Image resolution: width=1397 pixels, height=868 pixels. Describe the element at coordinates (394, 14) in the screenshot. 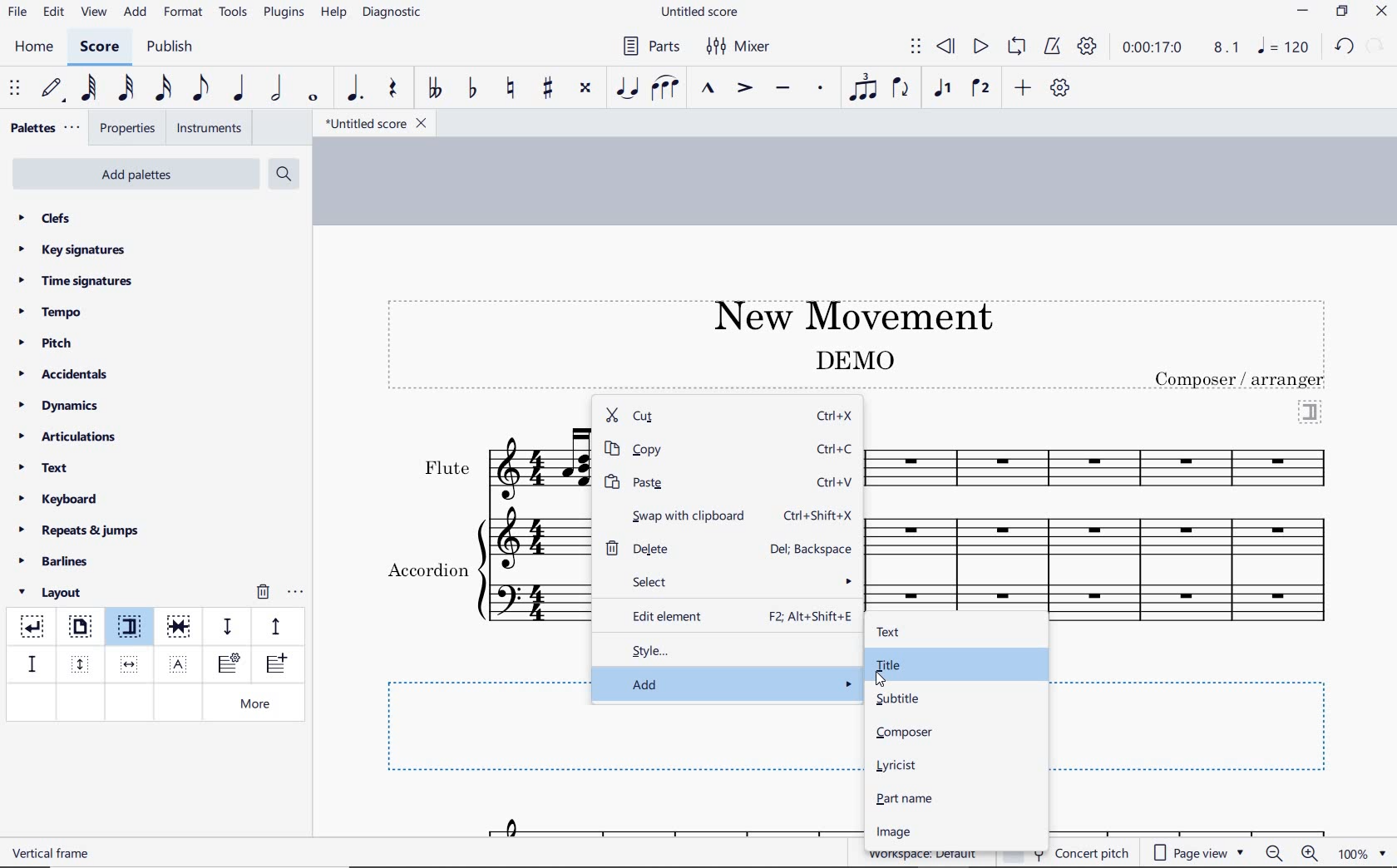

I see `diagnostic` at that location.